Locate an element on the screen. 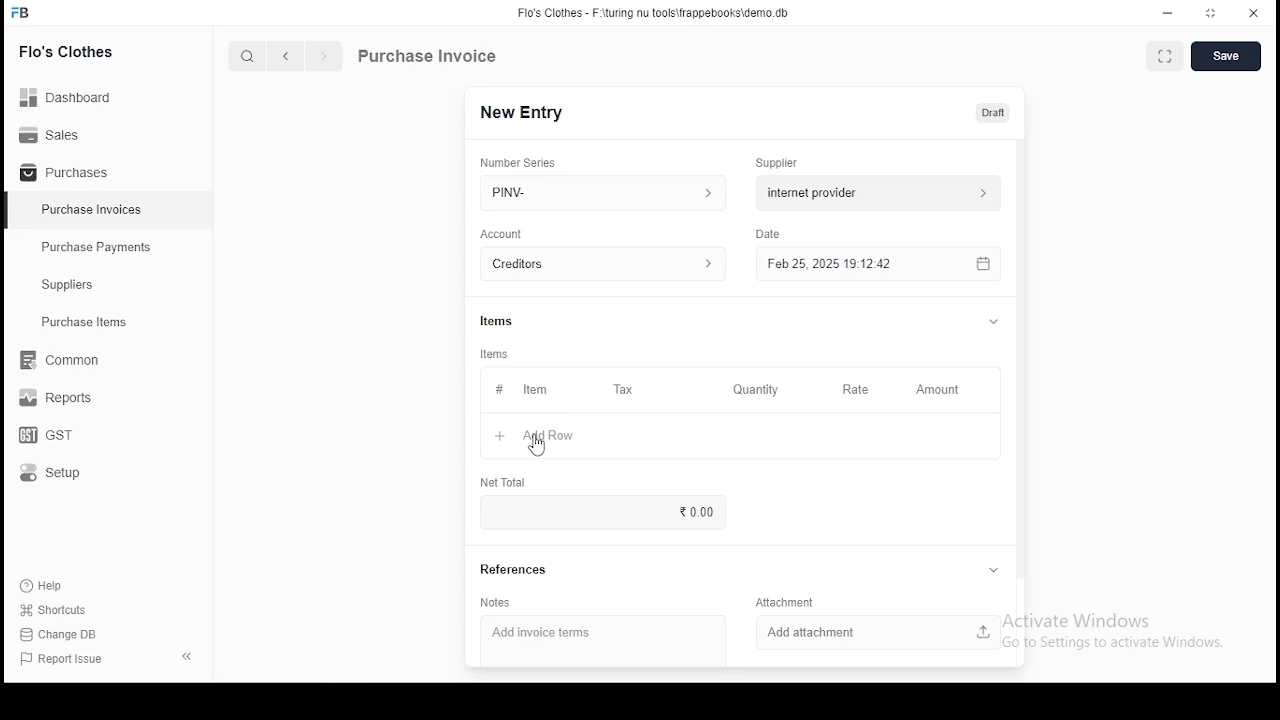  dashboard is located at coordinates (75, 91).